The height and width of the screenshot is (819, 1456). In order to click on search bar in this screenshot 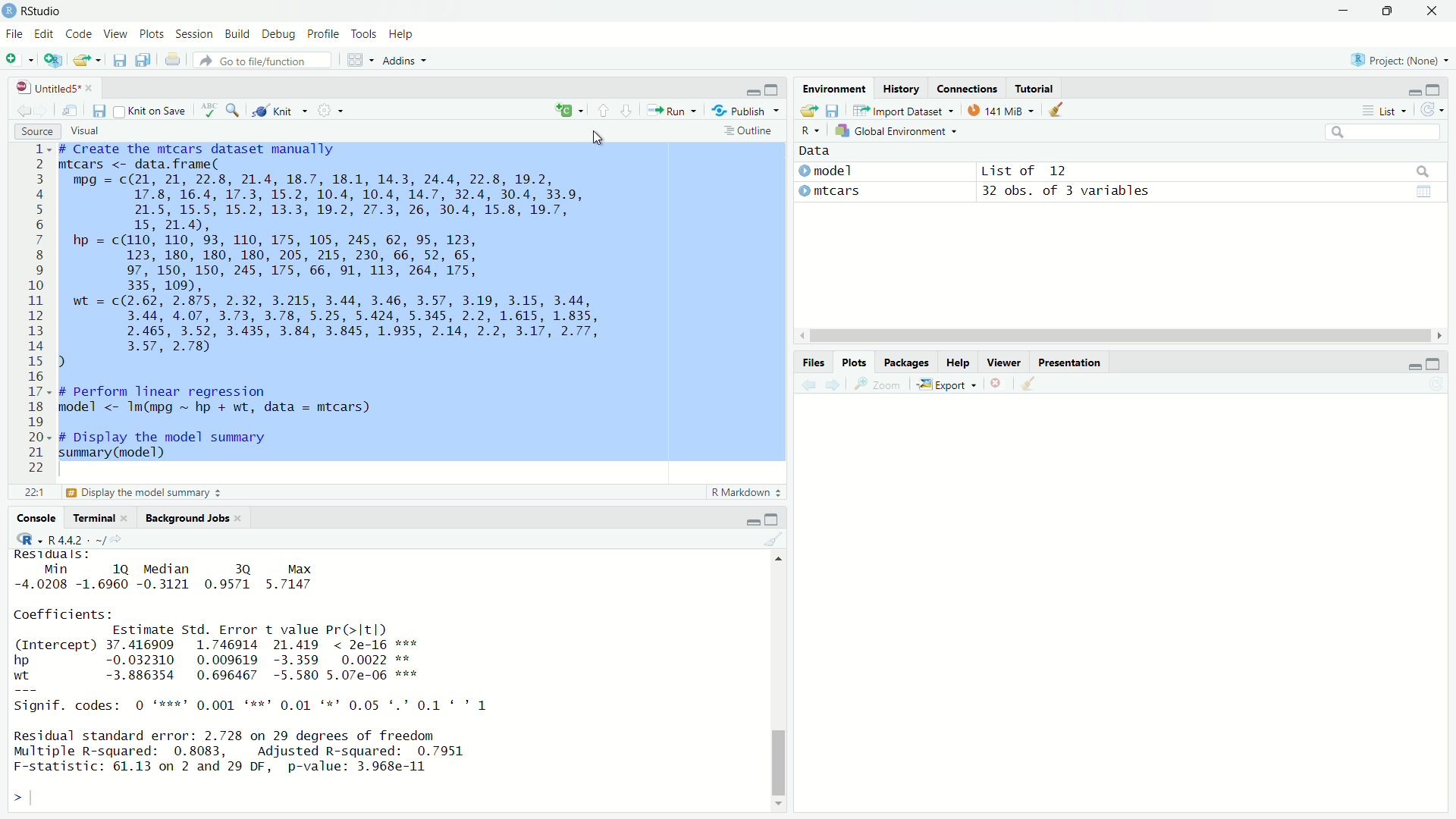, I will do `click(1384, 132)`.